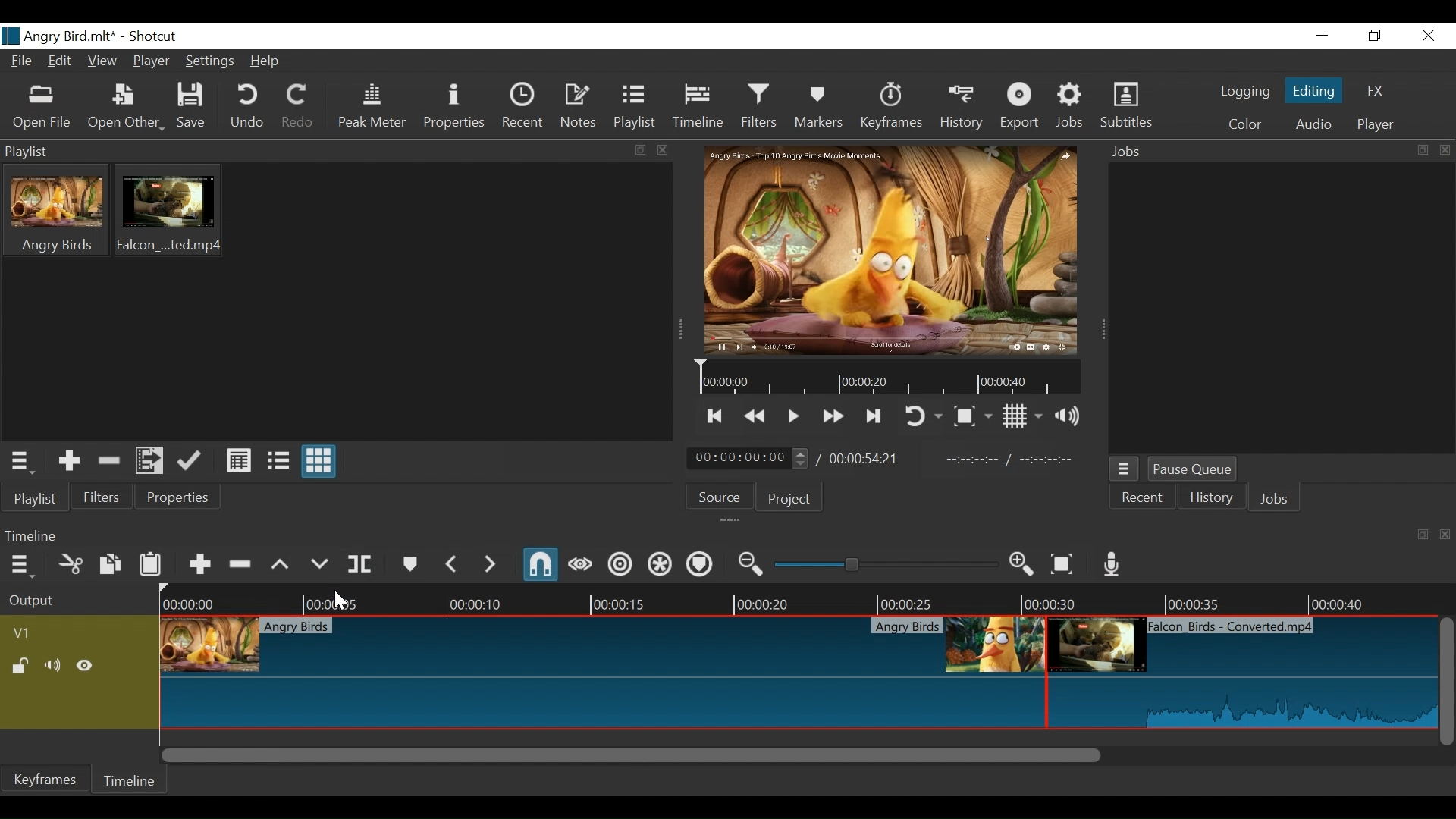 The image size is (1456, 819). What do you see at coordinates (102, 497) in the screenshot?
I see `Filter` at bounding box center [102, 497].